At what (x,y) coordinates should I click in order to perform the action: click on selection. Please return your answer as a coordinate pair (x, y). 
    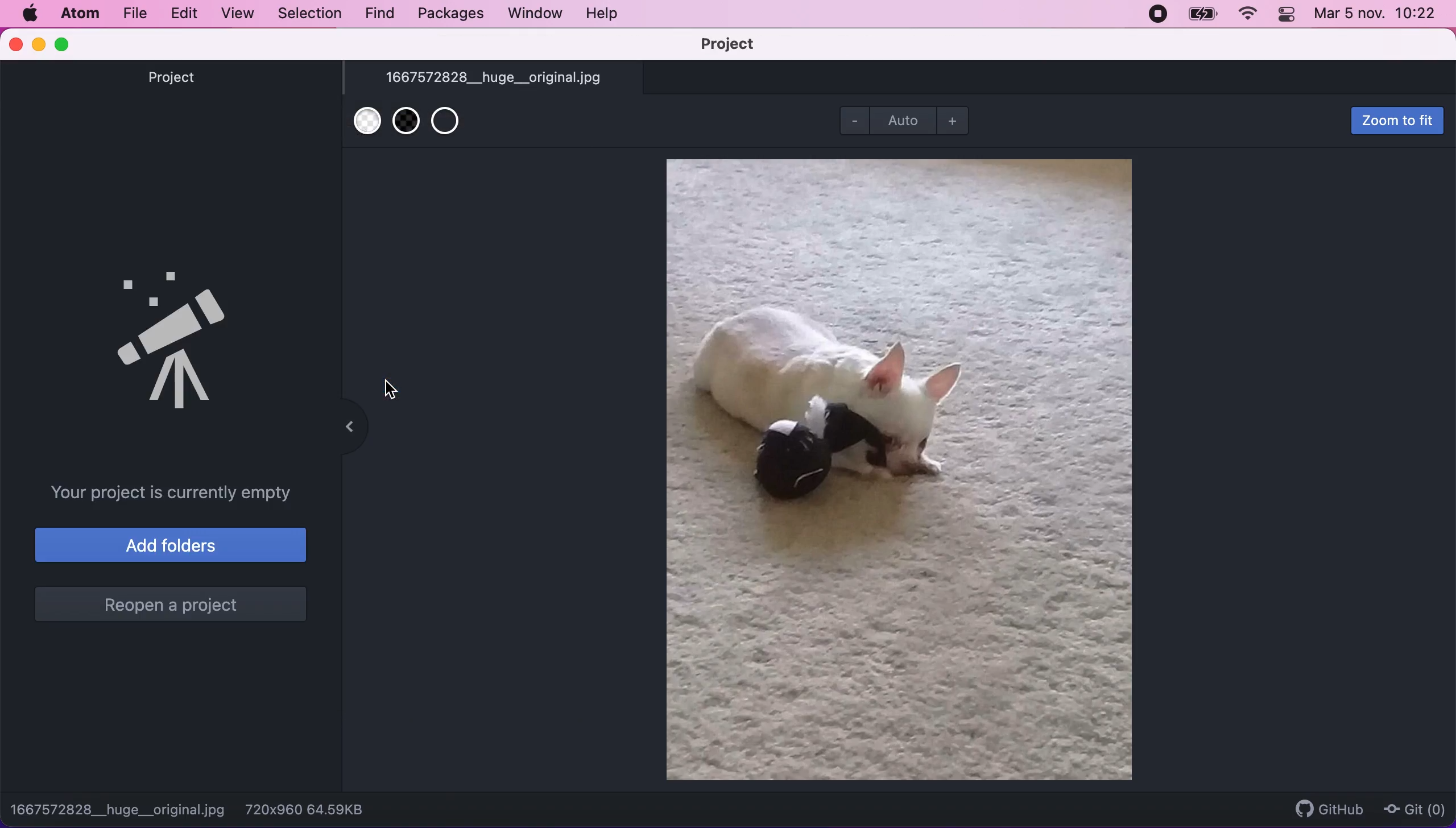
    Looking at the image, I should click on (308, 14).